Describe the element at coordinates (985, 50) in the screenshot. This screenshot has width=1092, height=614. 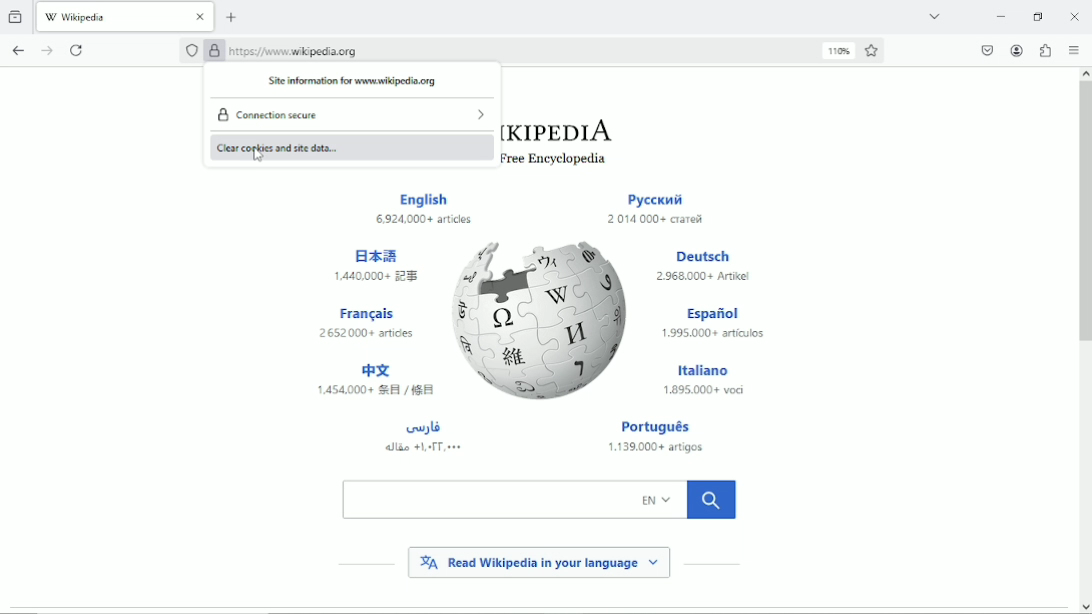
I see `add to pocket` at that location.